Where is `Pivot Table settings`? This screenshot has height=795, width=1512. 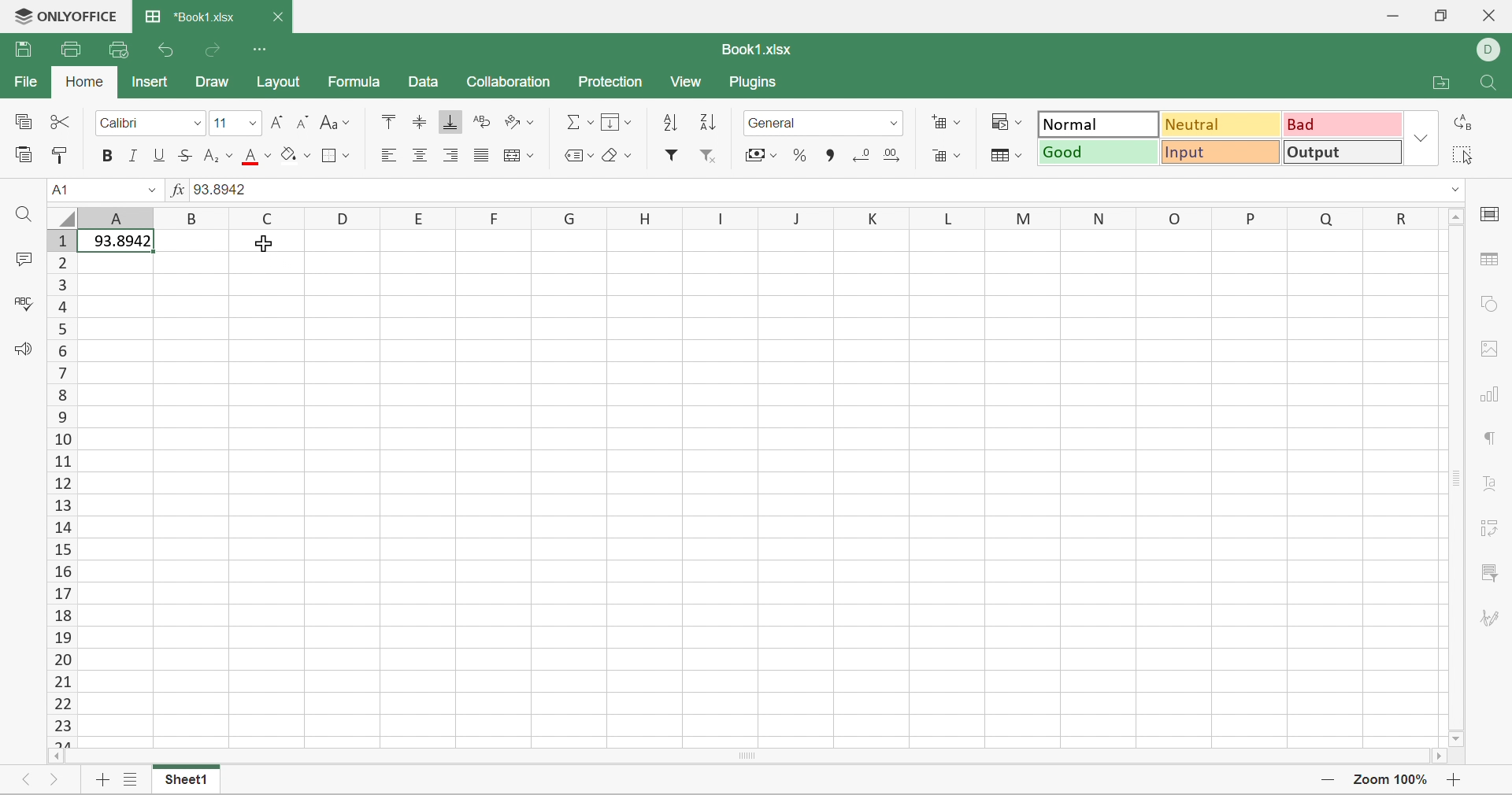 Pivot Table settings is located at coordinates (1494, 527).